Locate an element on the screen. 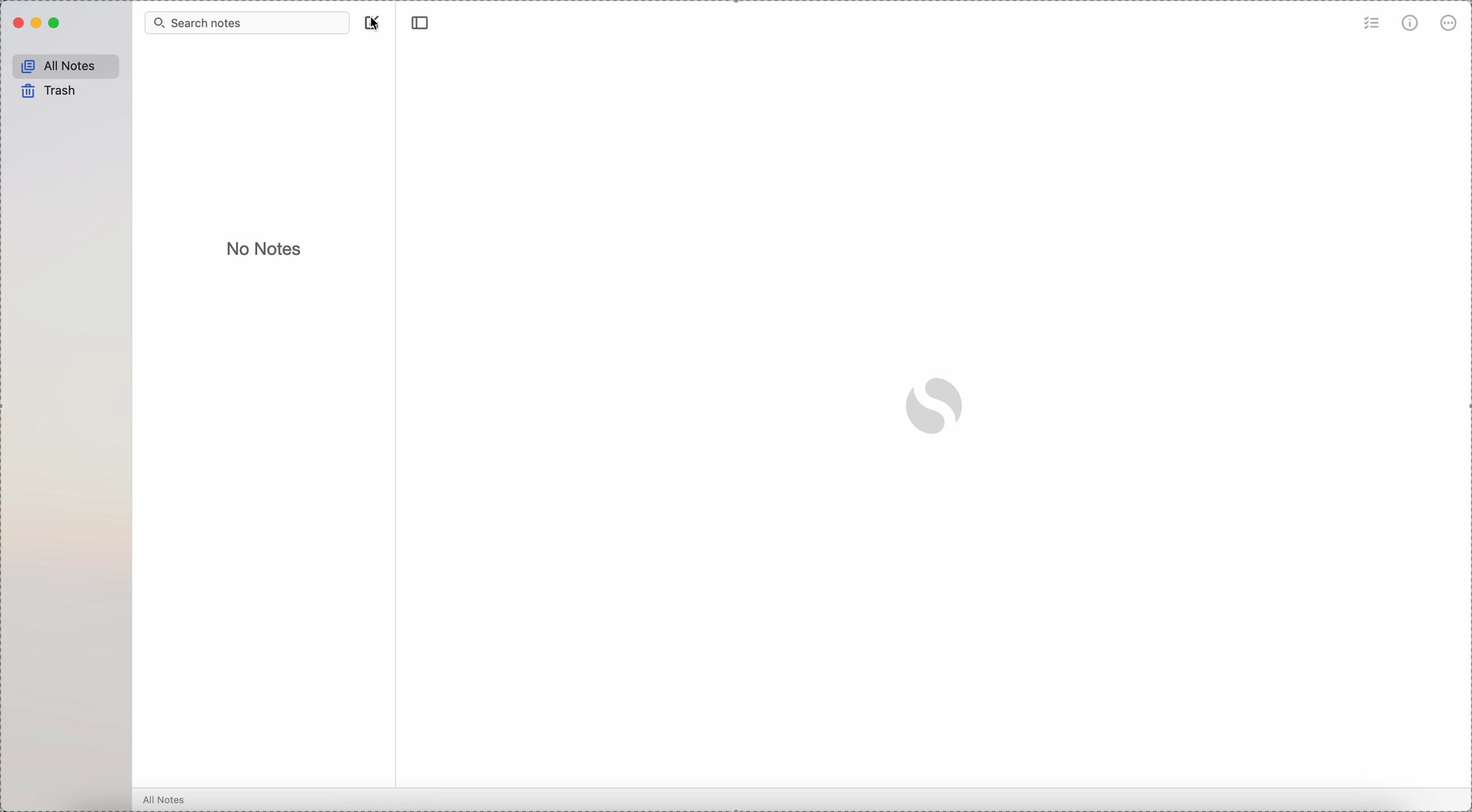 This screenshot has height=812, width=1472. all notes is located at coordinates (63, 63).